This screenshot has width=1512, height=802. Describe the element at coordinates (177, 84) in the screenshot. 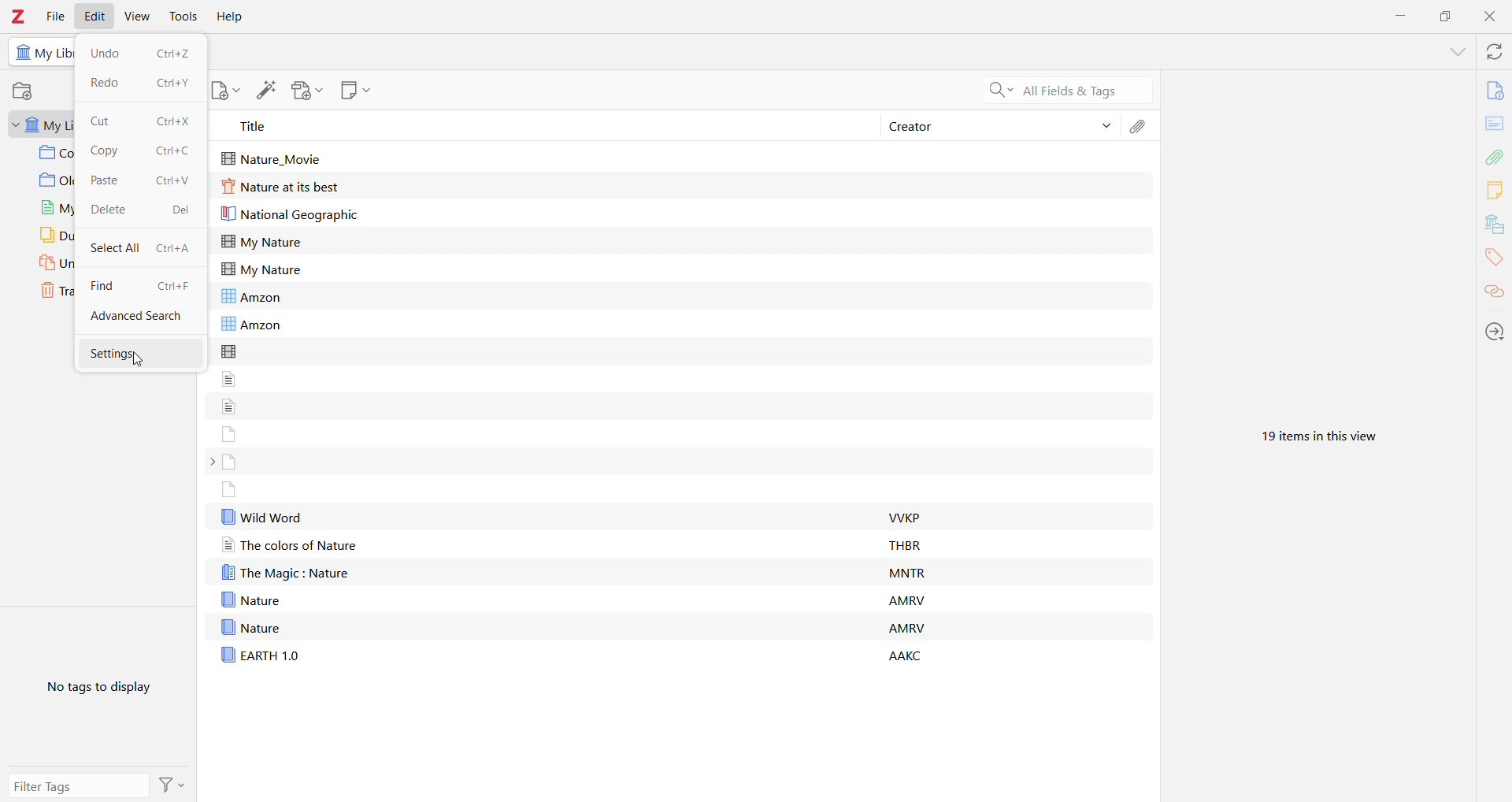

I see `Ctri+Y` at that location.